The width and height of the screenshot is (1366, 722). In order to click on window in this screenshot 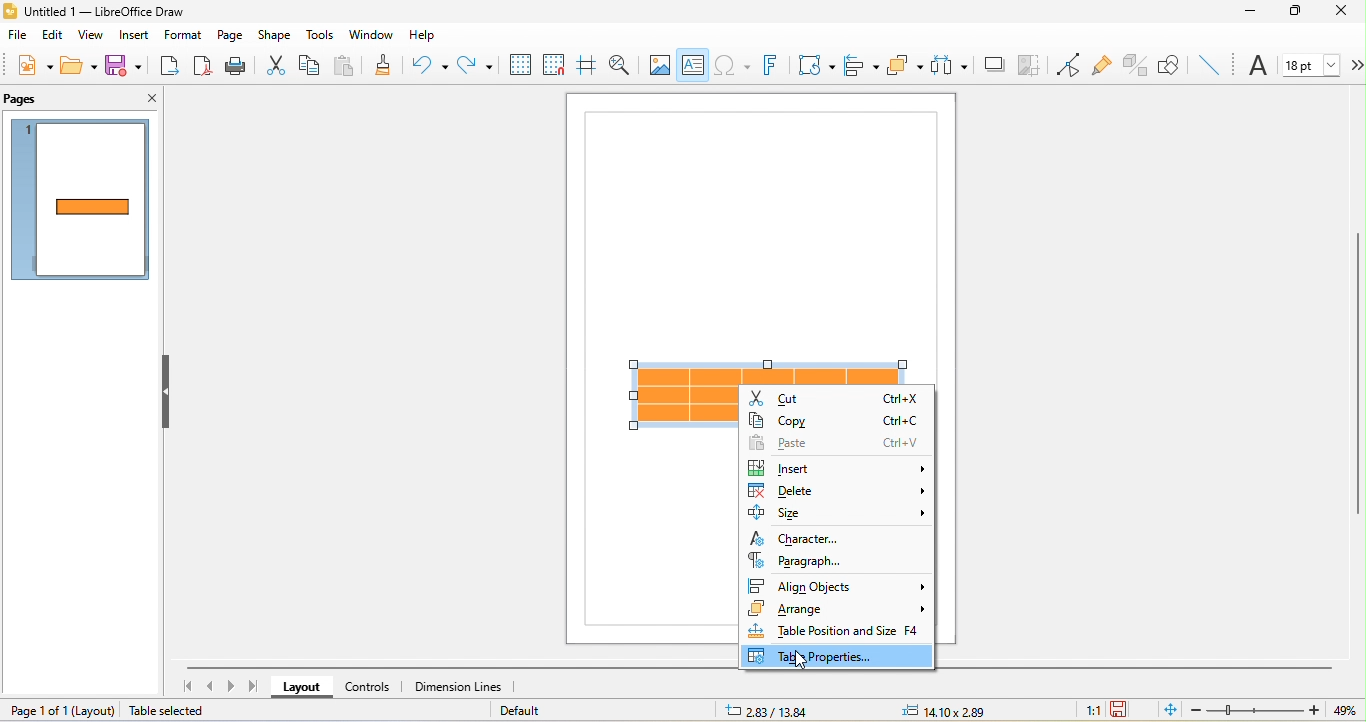, I will do `click(368, 33)`.